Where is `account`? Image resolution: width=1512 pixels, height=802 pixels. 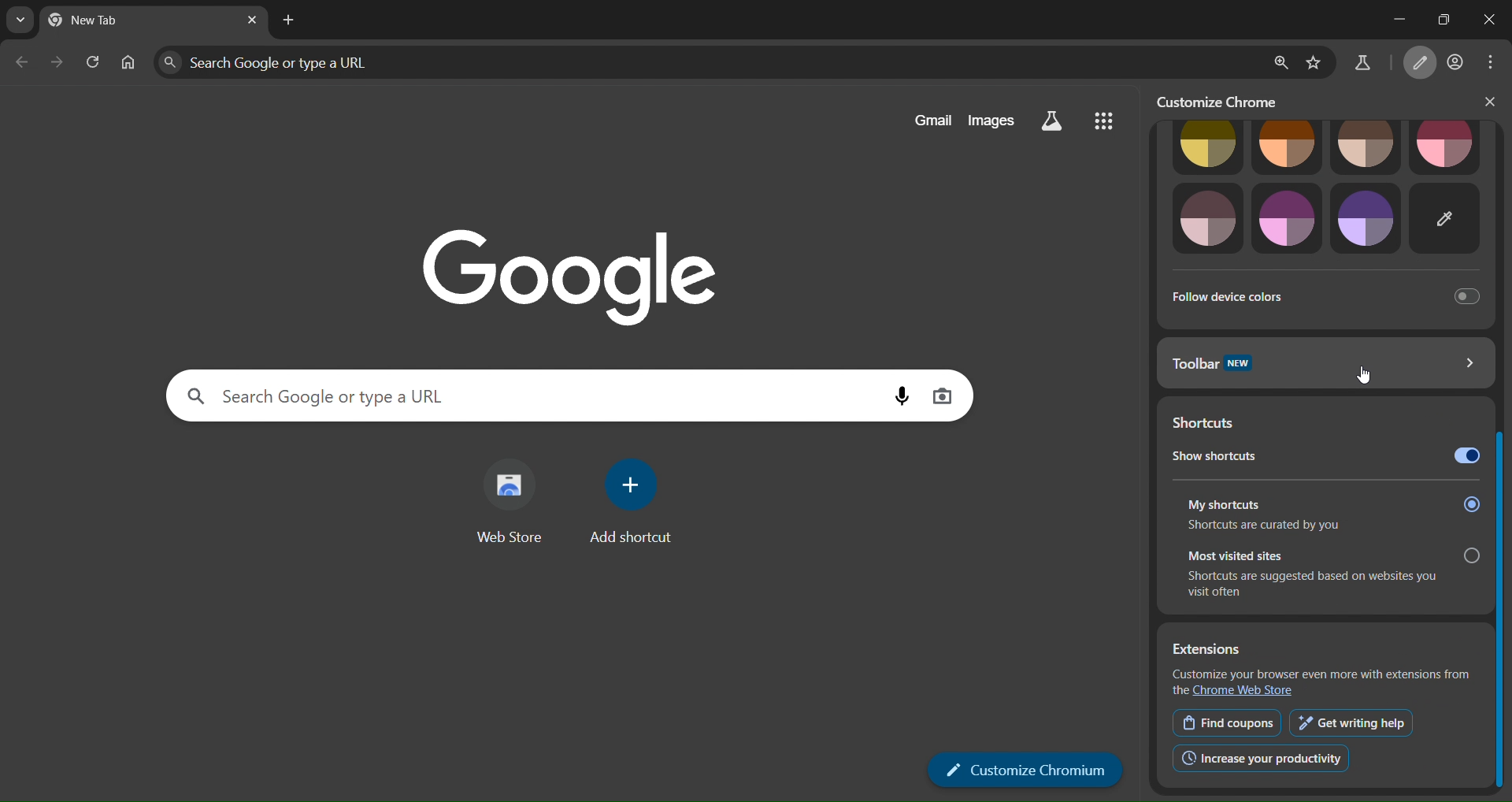 account is located at coordinates (1455, 64).